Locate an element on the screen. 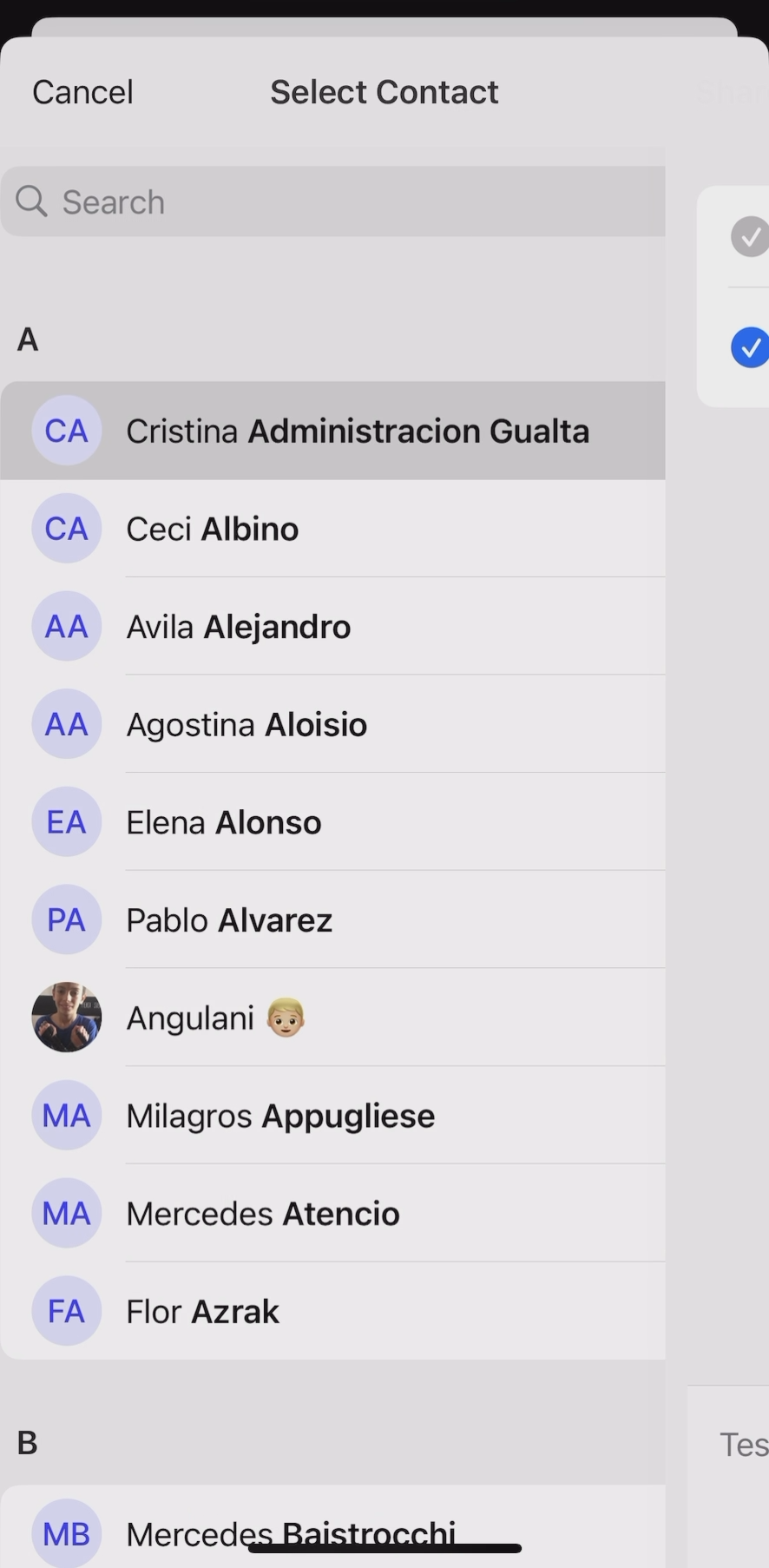 The height and width of the screenshot is (1568, 769). search is located at coordinates (338, 208).